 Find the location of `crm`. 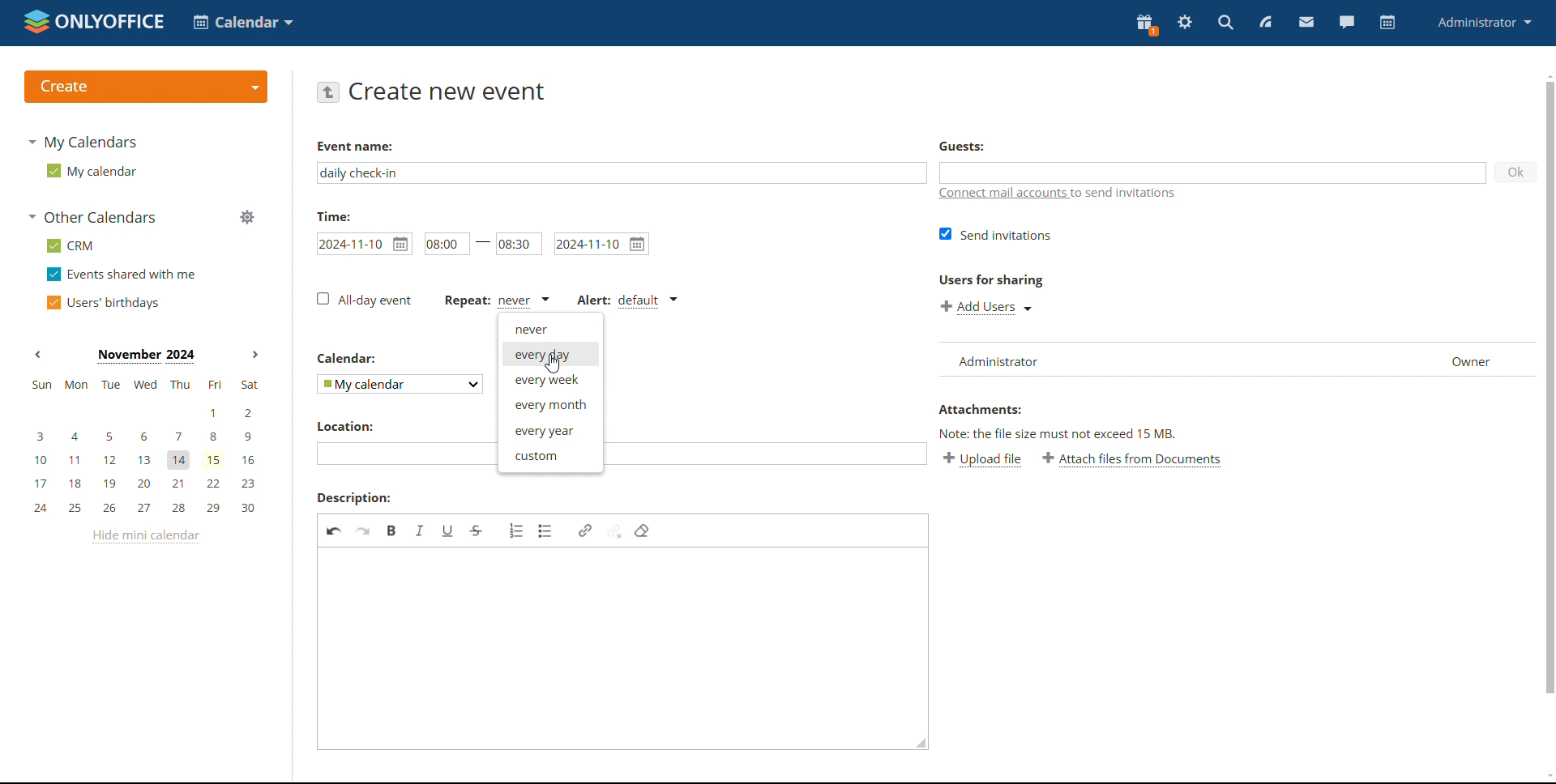

crm is located at coordinates (67, 245).